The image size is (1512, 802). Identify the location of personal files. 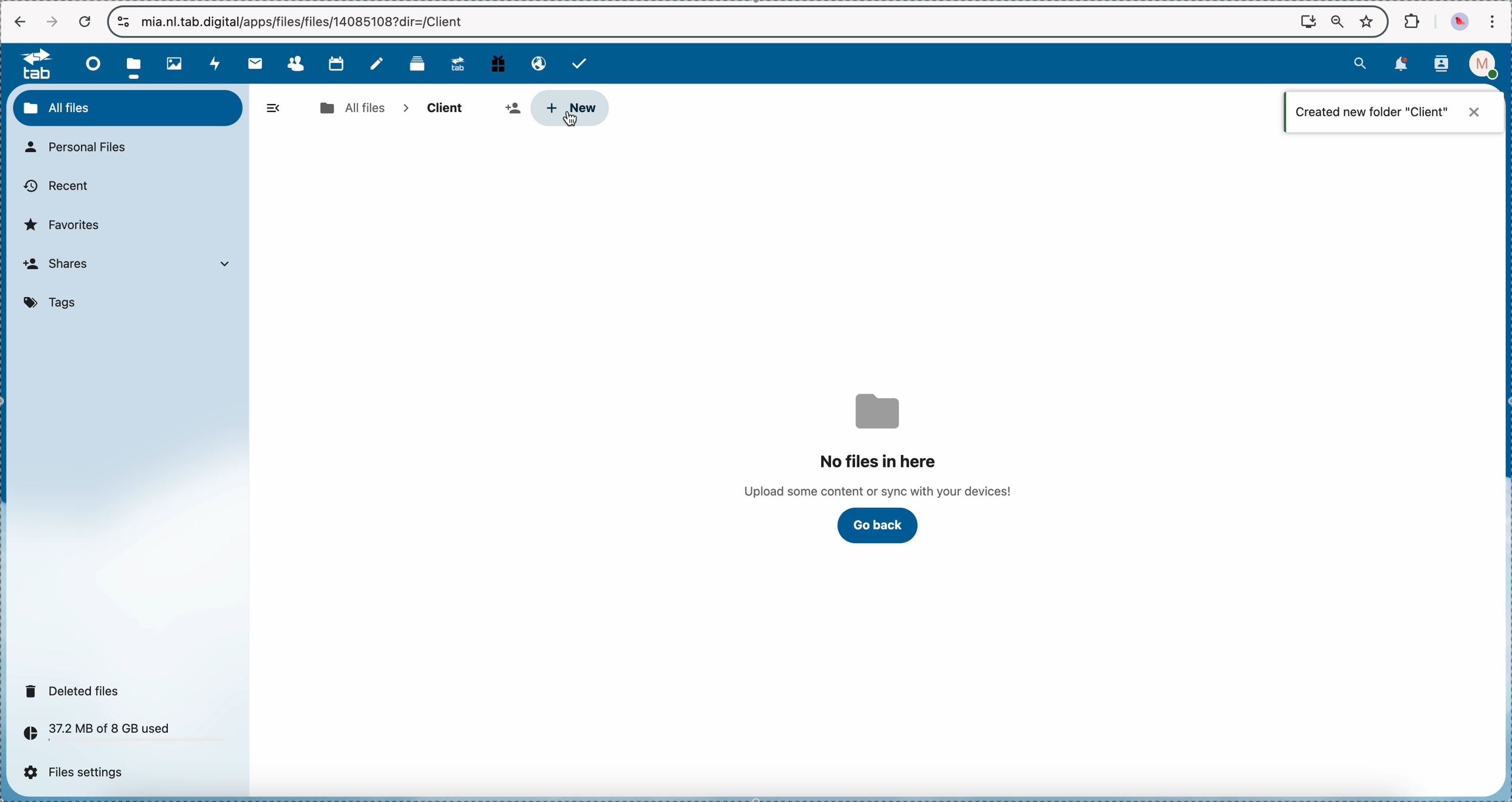
(82, 148).